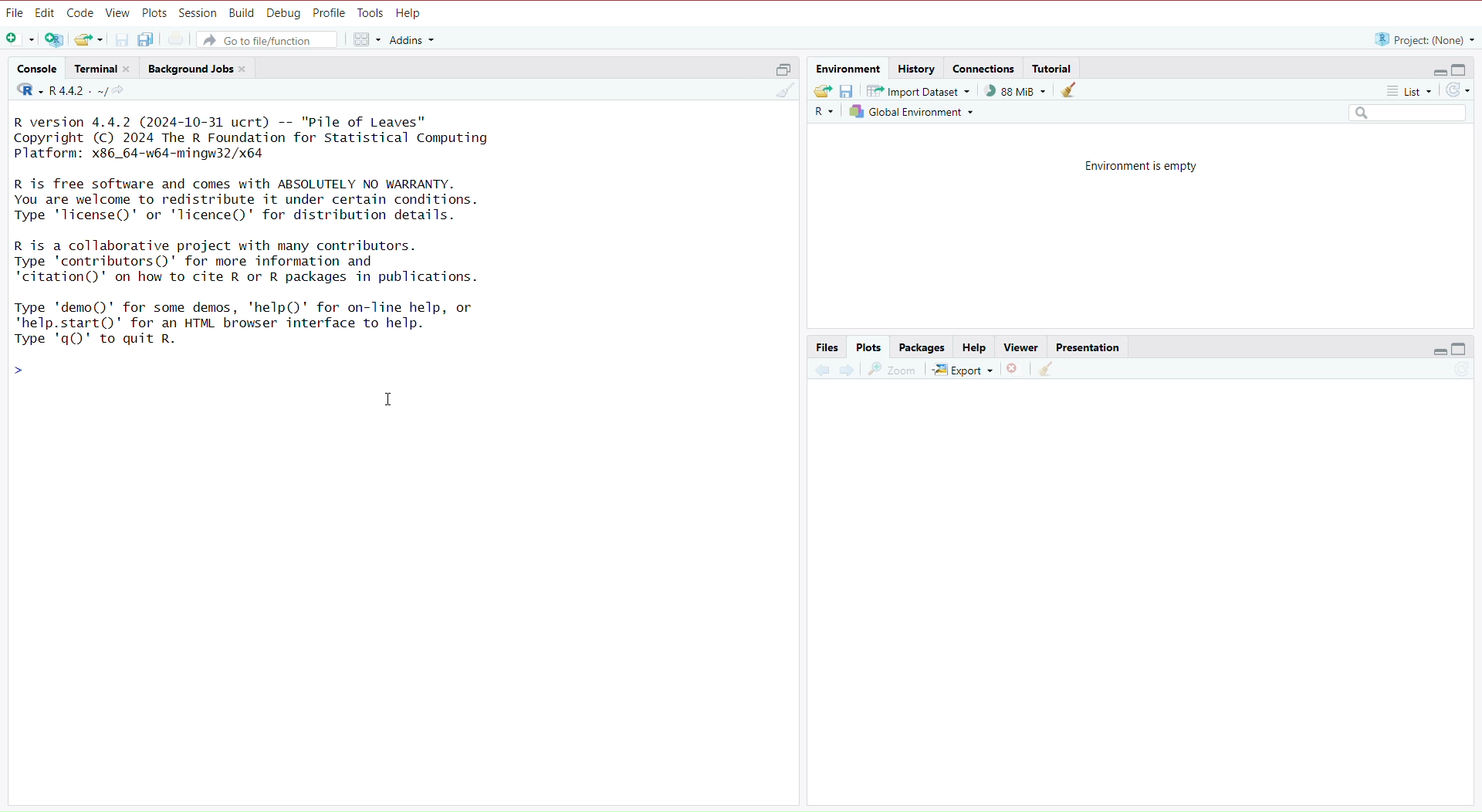 The height and width of the screenshot is (812, 1482). What do you see at coordinates (1437, 350) in the screenshot?
I see `expand` at bounding box center [1437, 350].